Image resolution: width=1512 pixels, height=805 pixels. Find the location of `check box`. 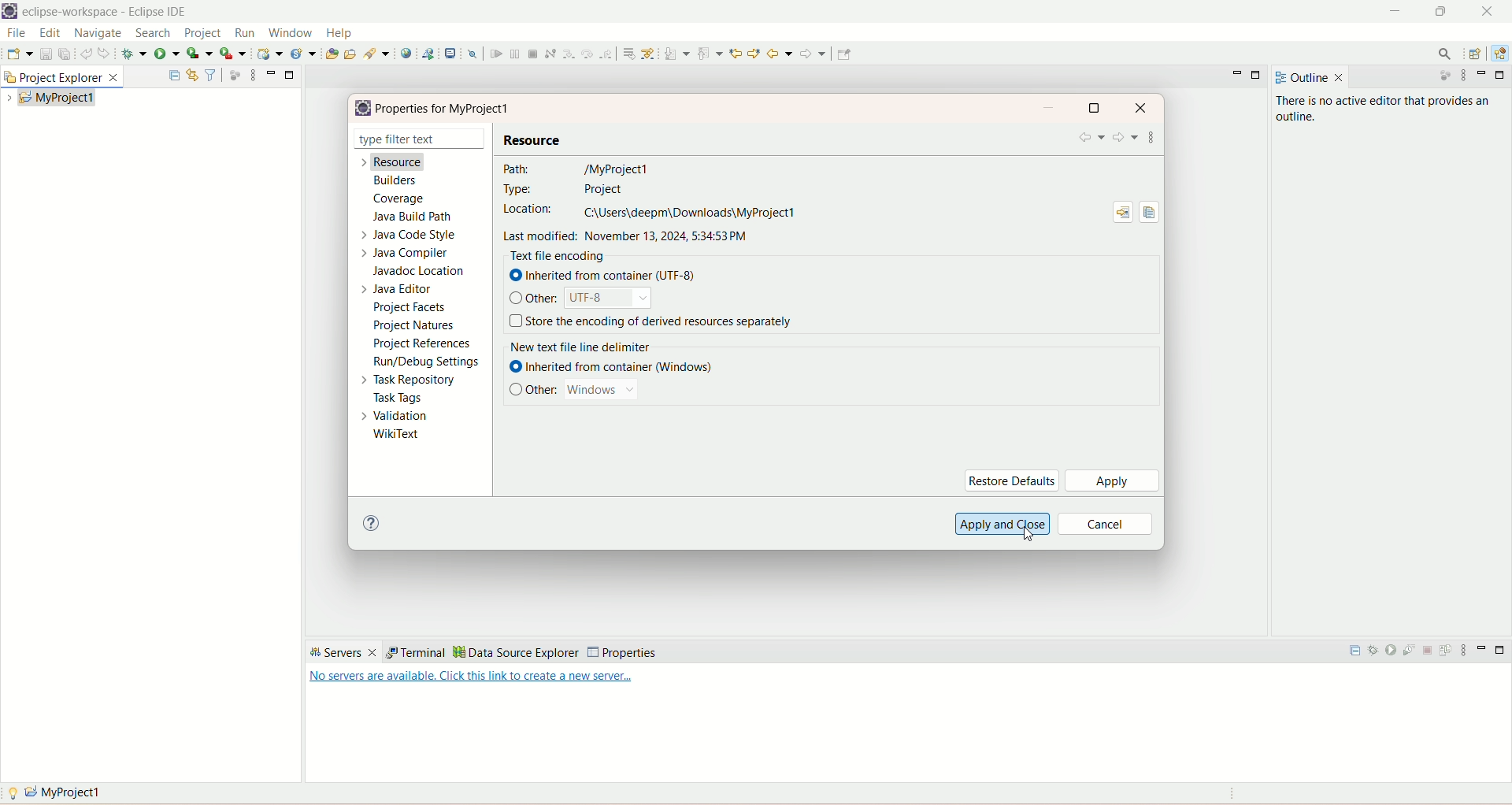

check box is located at coordinates (516, 387).